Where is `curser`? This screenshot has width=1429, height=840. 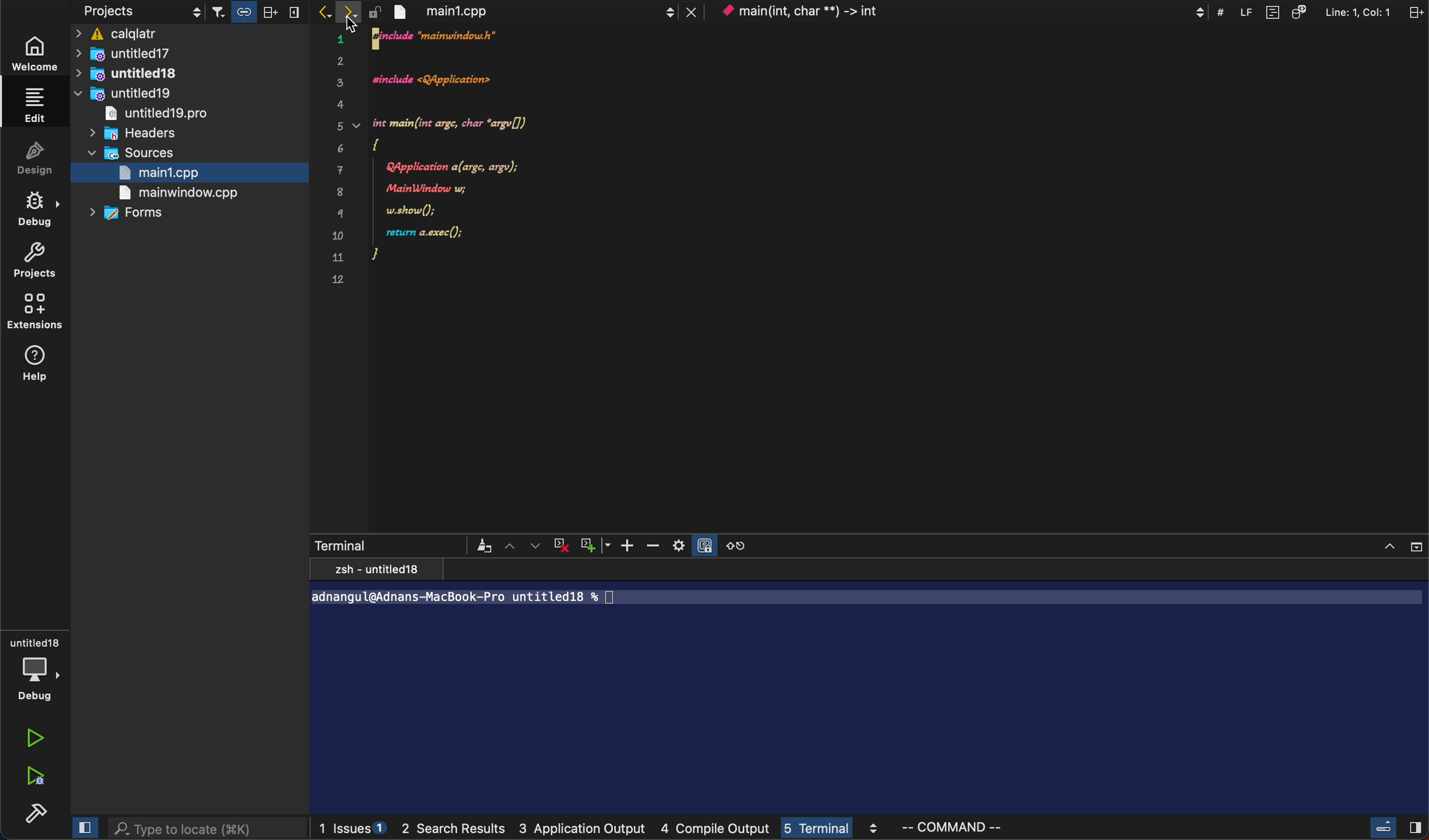
curser is located at coordinates (360, 19).